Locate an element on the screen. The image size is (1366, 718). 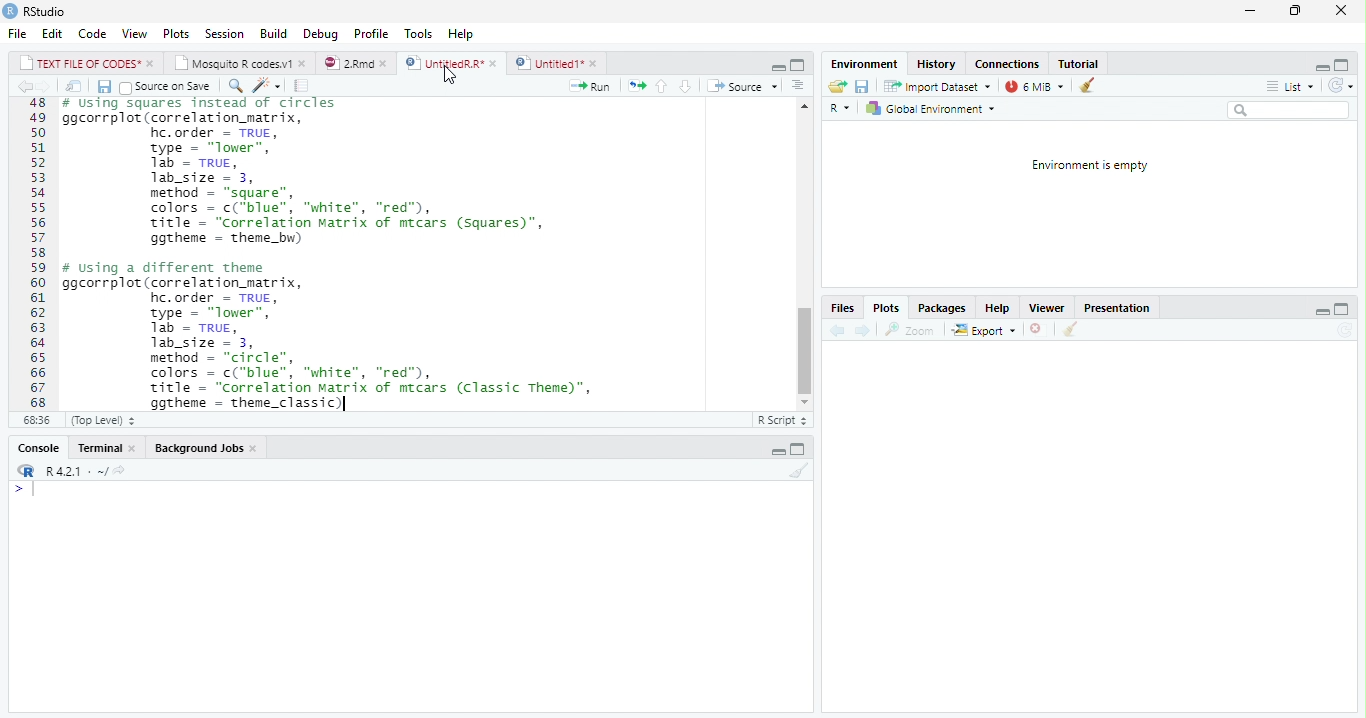
 History is located at coordinates (938, 66).